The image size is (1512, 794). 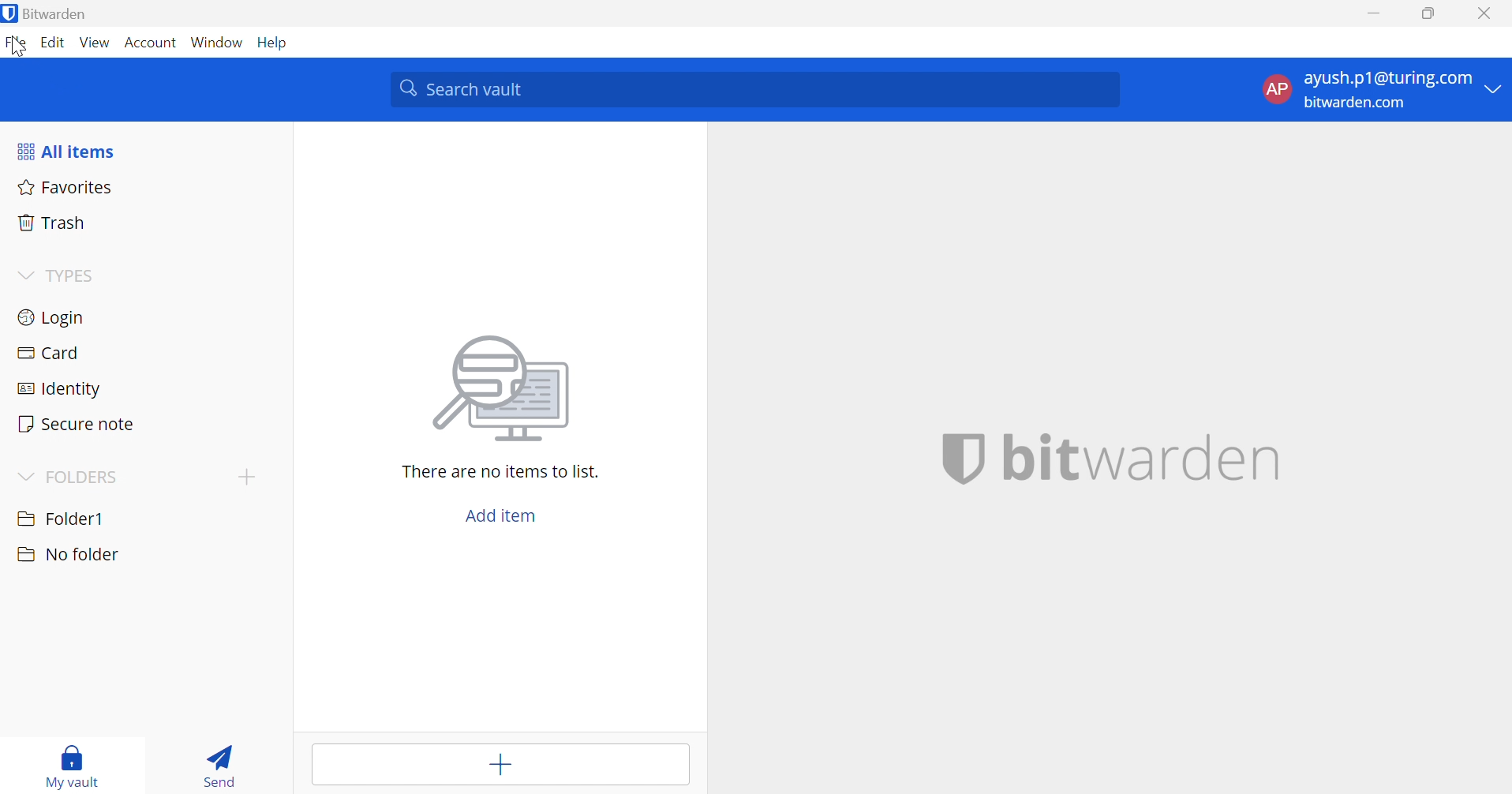 I want to click on bitwarden logo, so click(x=964, y=460).